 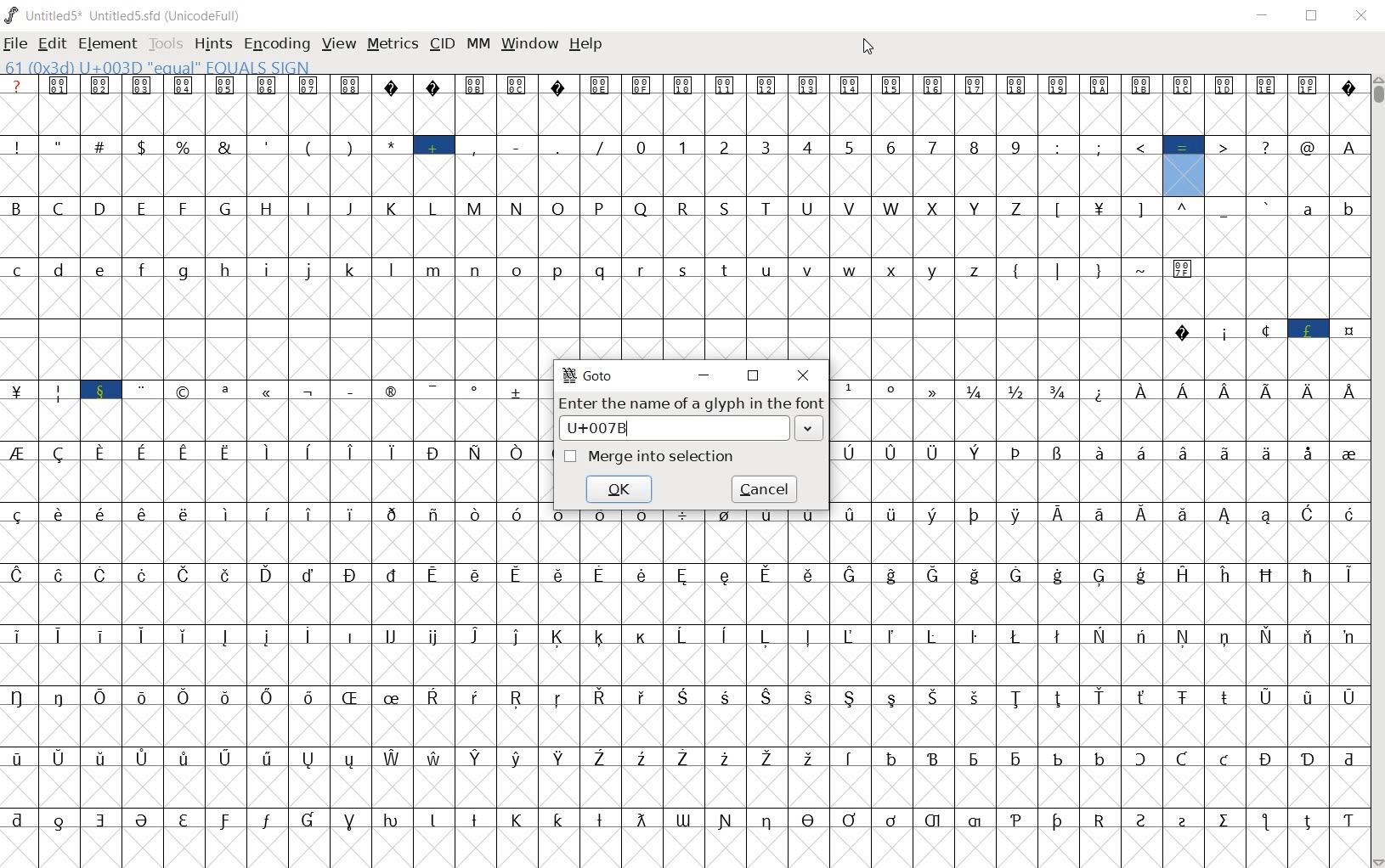 I want to click on cid, so click(x=441, y=43).